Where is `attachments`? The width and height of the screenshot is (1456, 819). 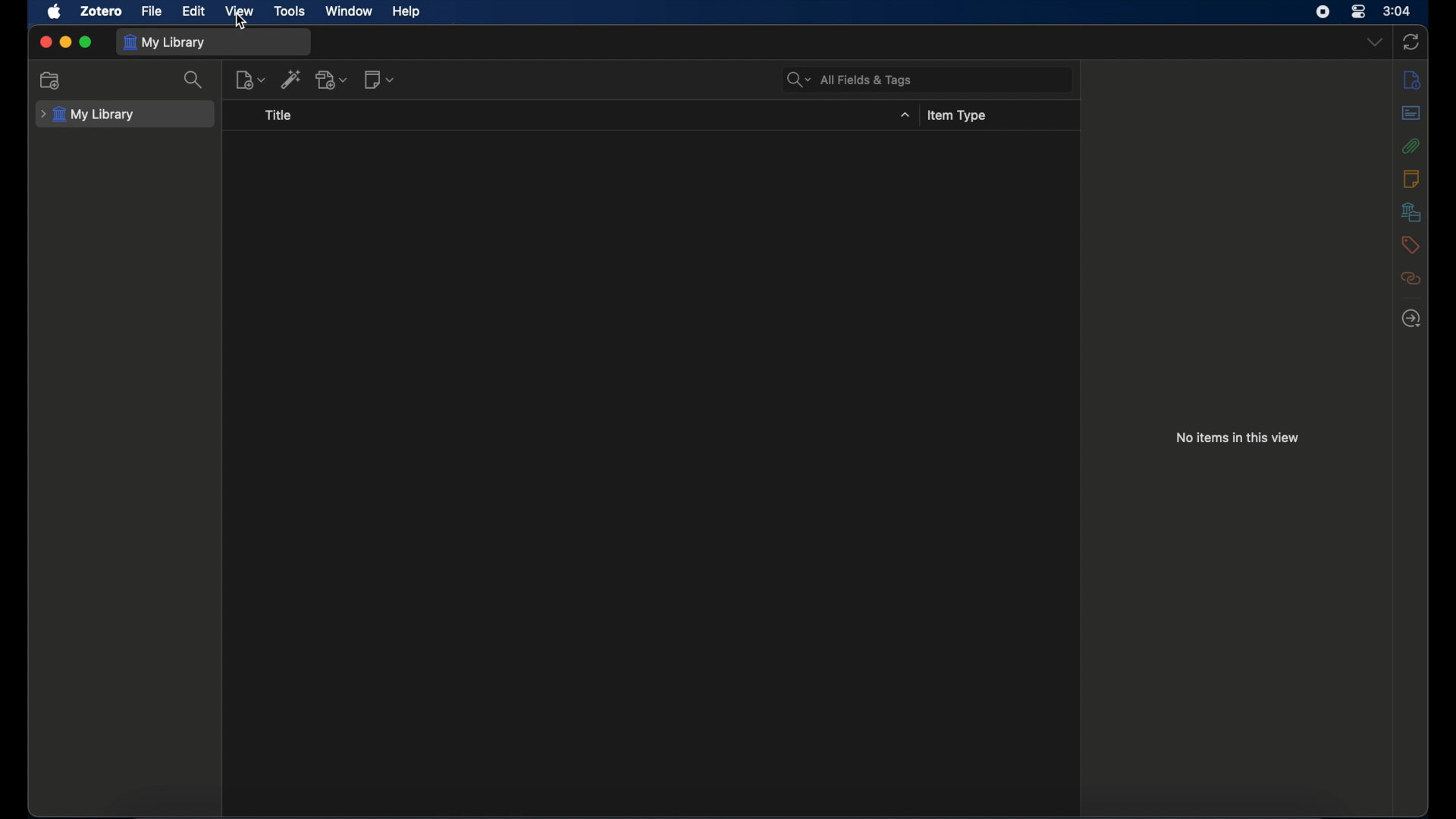
attachments is located at coordinates (1410, 146).